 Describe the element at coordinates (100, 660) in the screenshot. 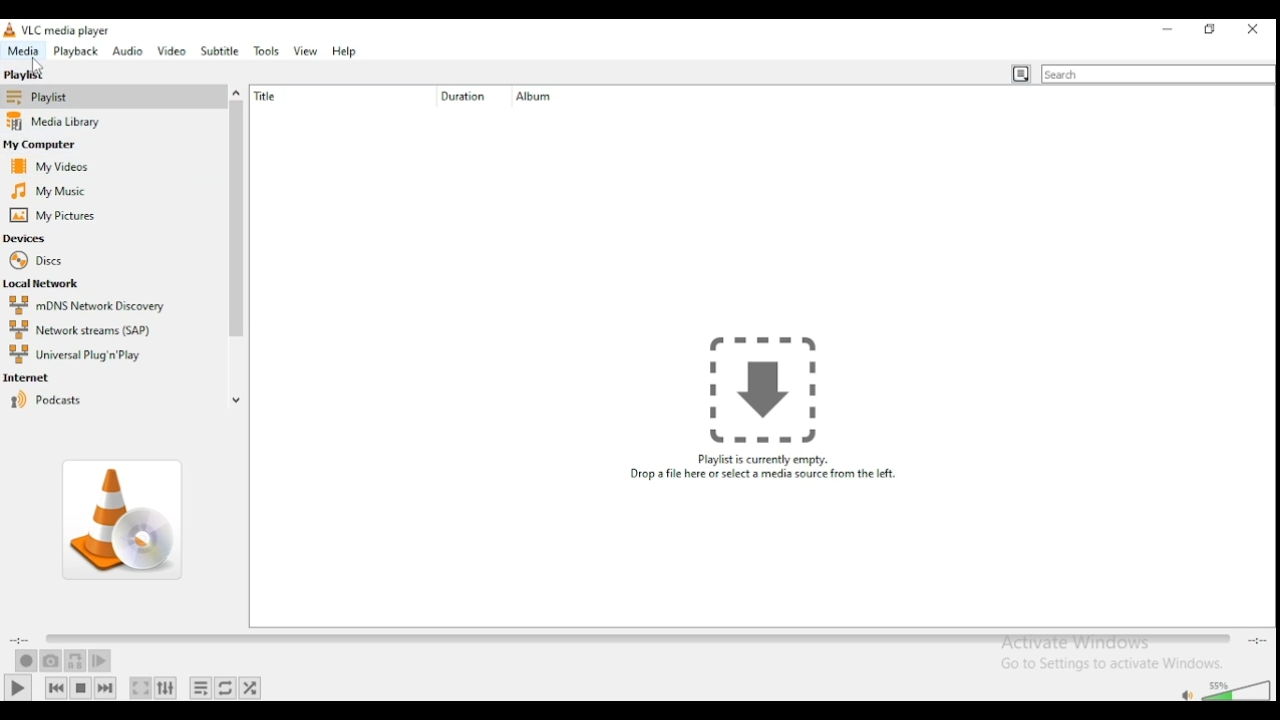

I see `frame by frame` at that location.